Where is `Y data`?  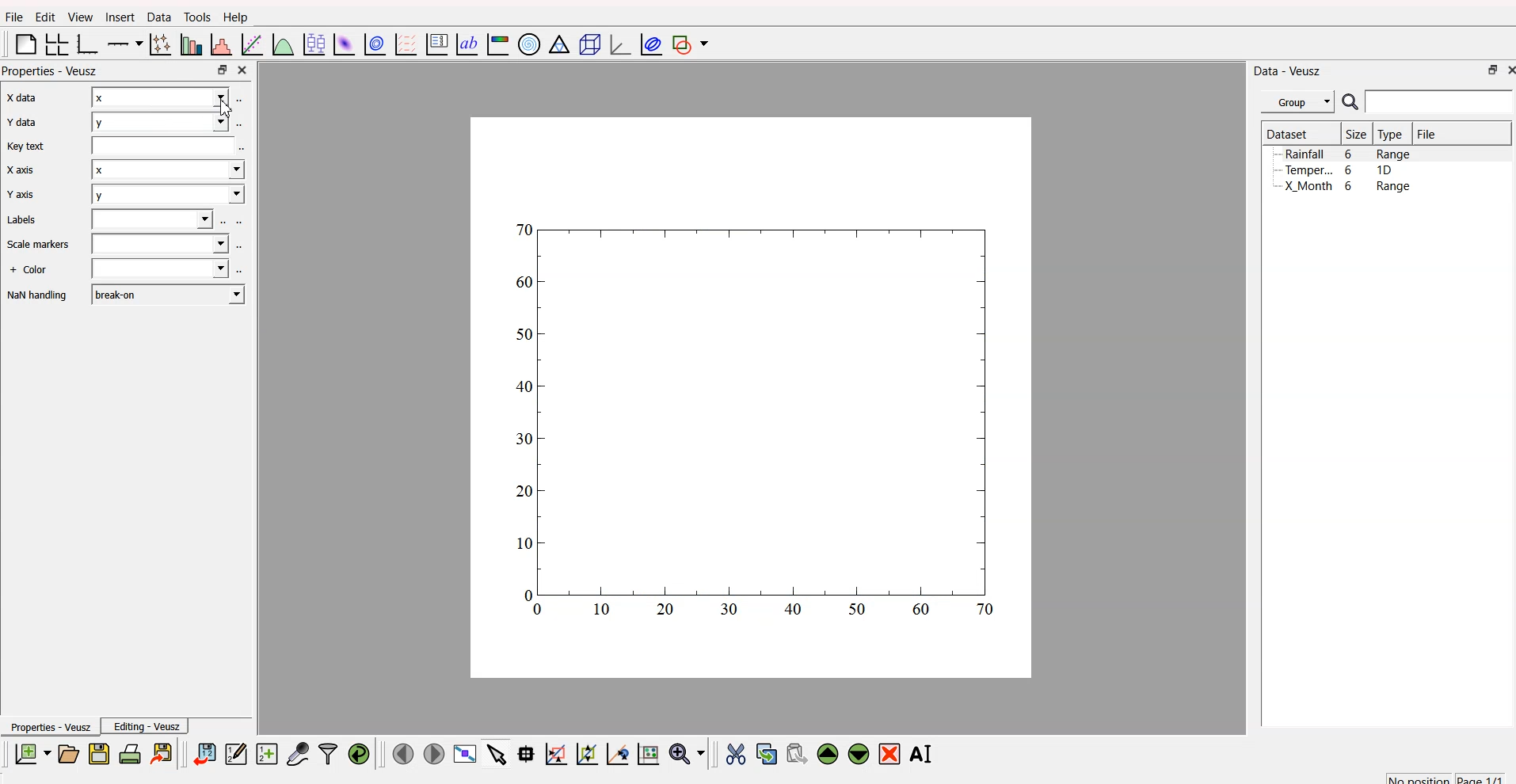 Y data is located at coordinates (21, 124).